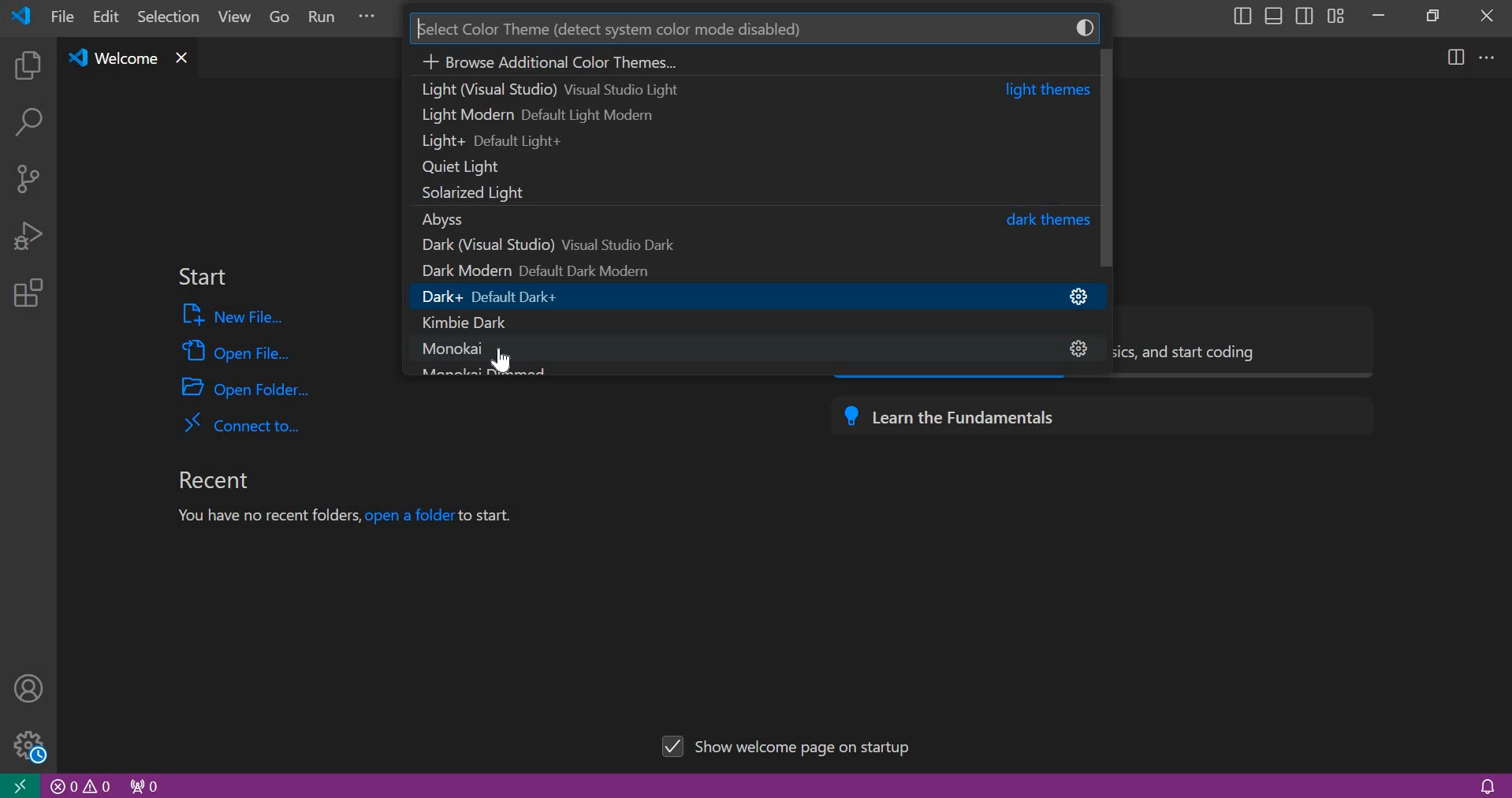  I want to click on dark+, so click(748, 296).